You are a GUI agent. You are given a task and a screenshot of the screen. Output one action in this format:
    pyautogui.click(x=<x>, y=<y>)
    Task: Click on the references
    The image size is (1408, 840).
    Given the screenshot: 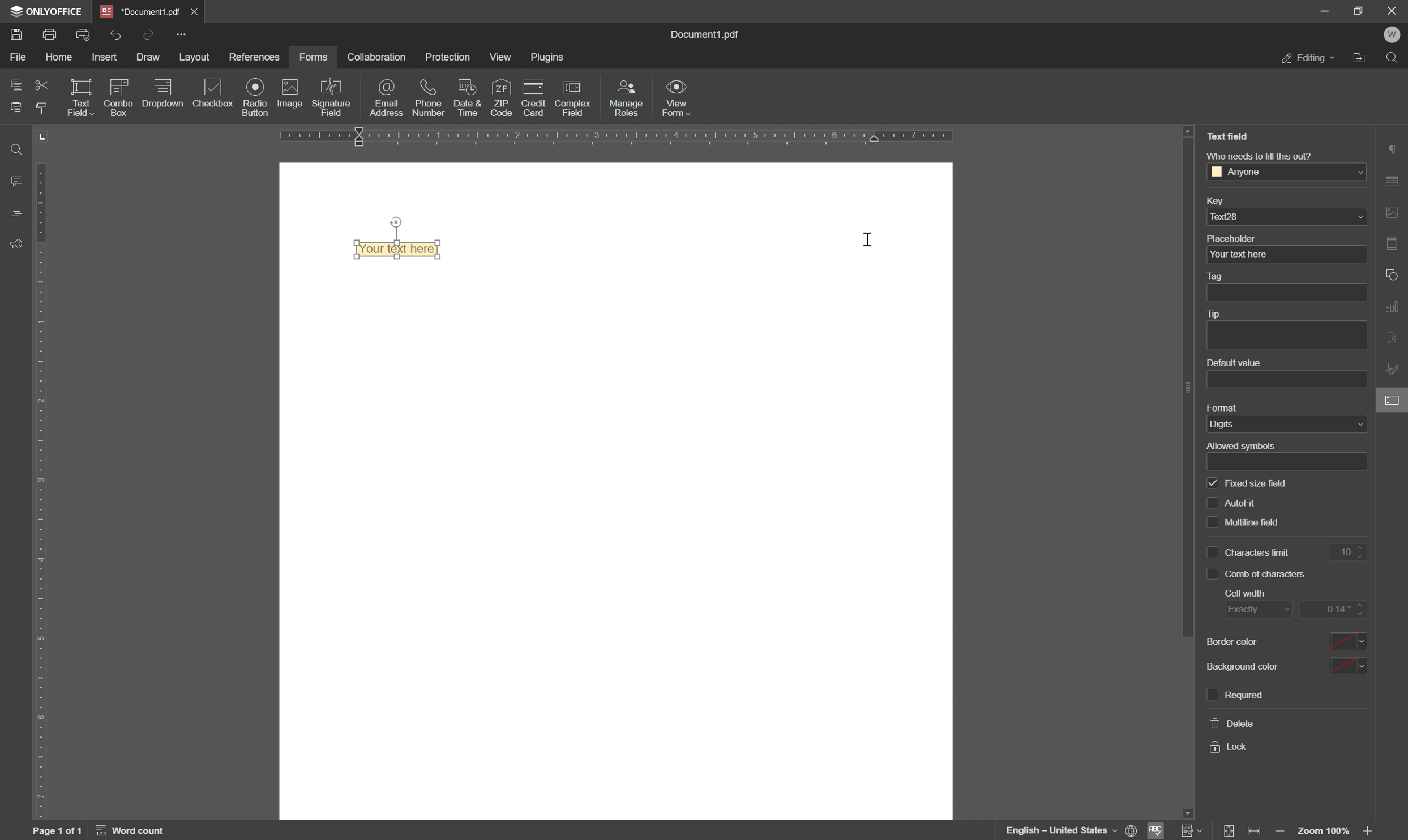 What is the action you would take?
    pyautogui.click(x=255, y=57)
    